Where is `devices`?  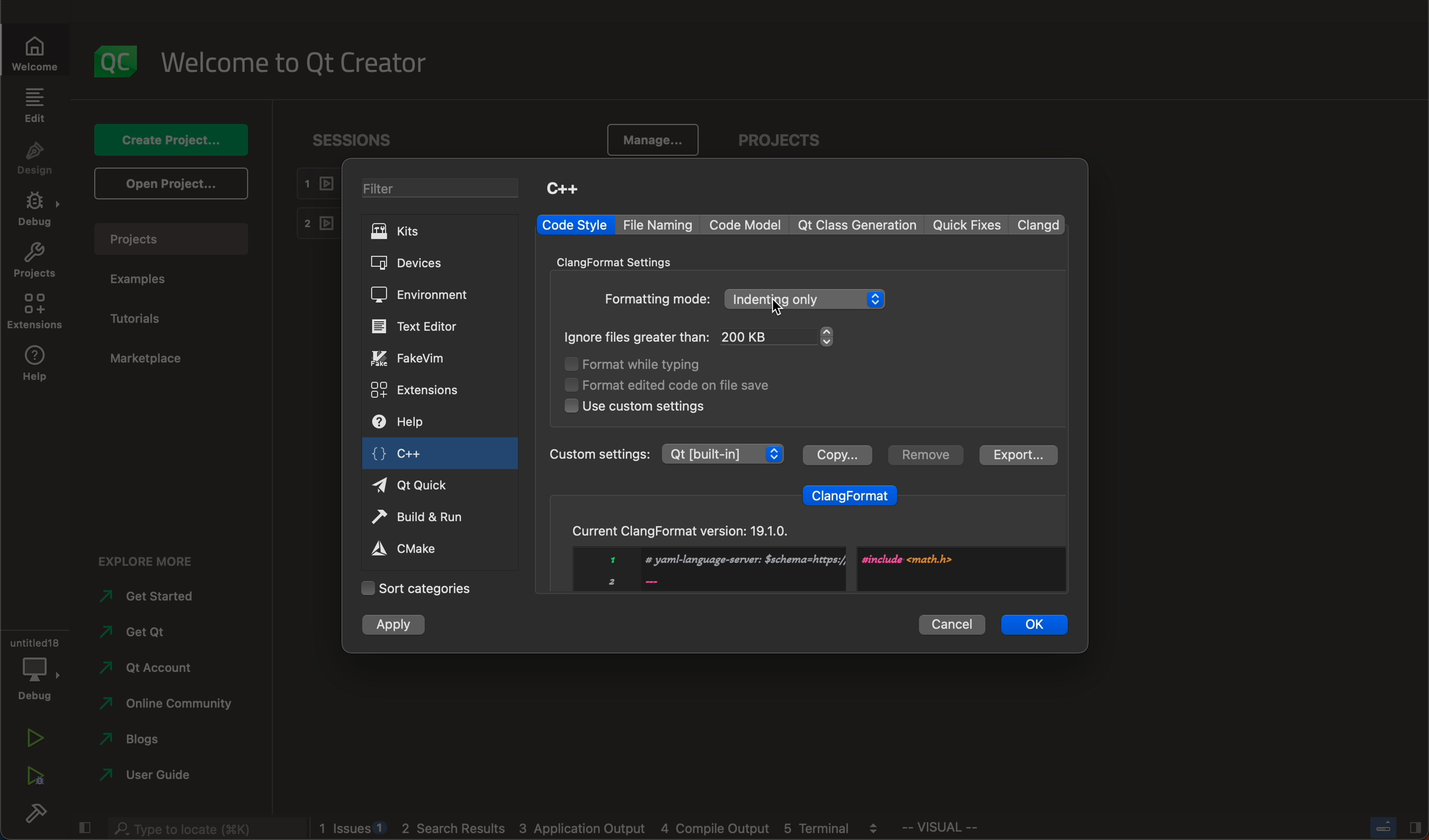 devices is located at coordinates (421, 264).